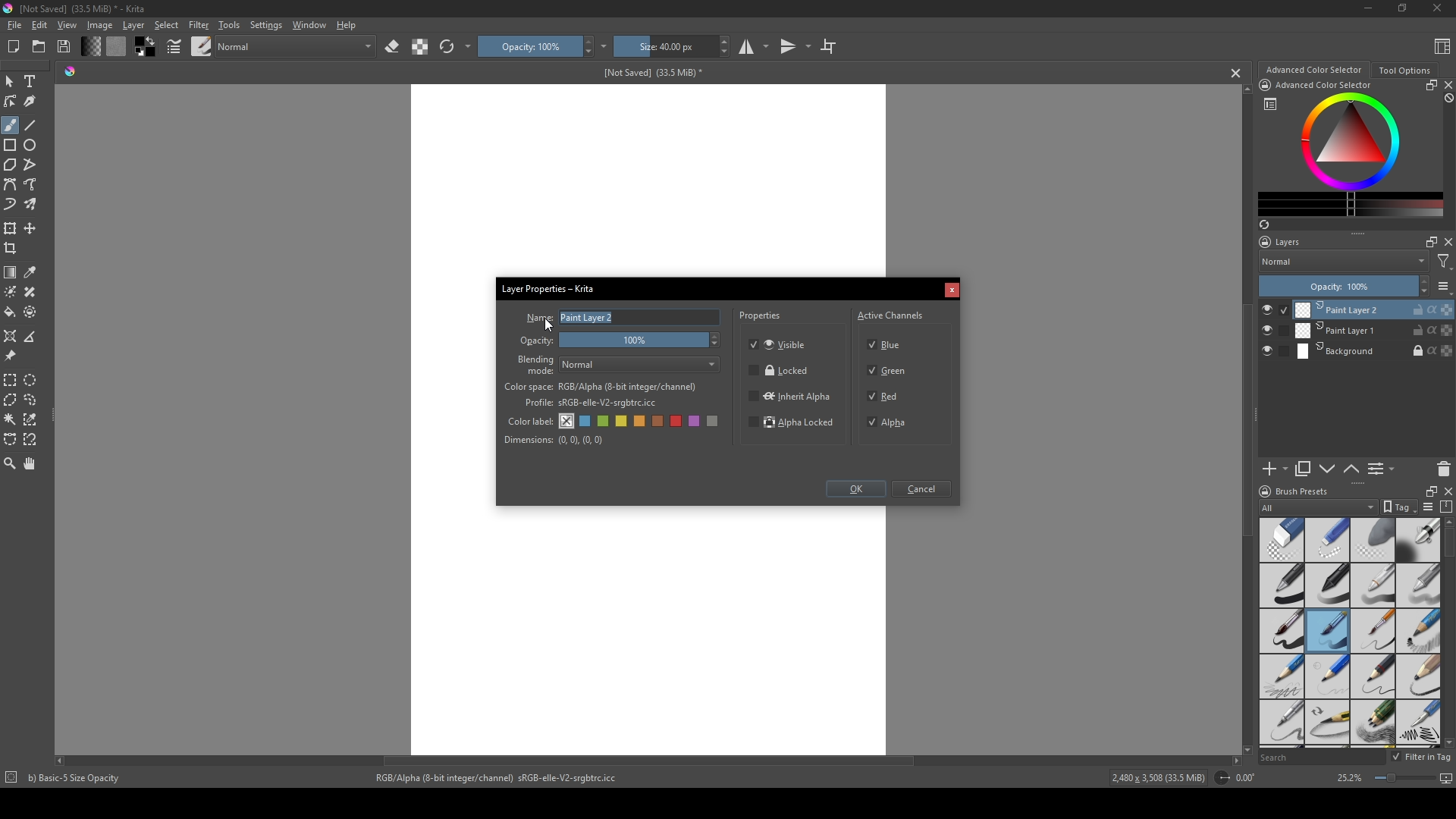 This screenshot has width=1456, height=819. I want to click on scroll left, so click(63, 761).